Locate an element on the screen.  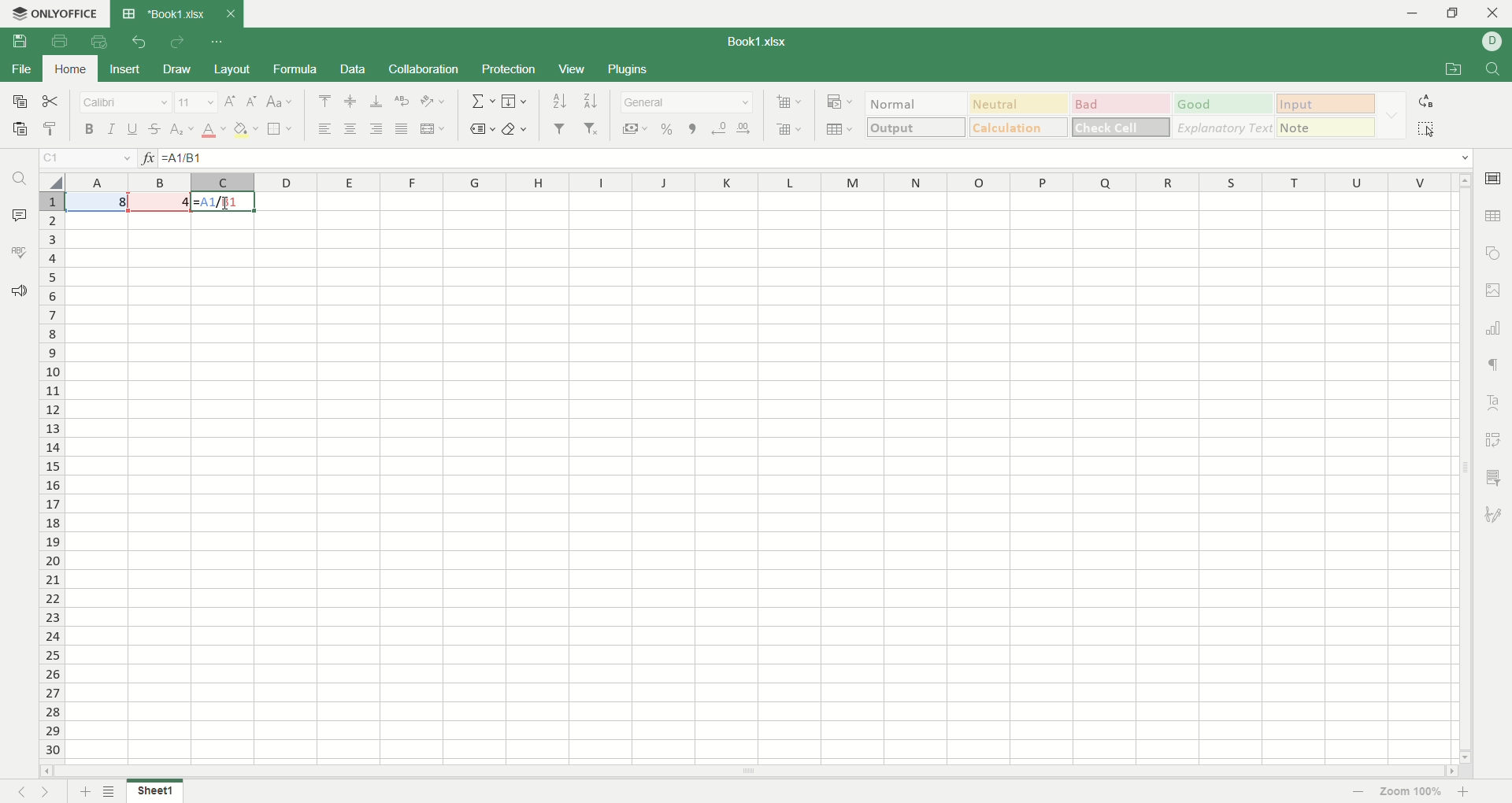
fill is located at coordinates (515, 101).